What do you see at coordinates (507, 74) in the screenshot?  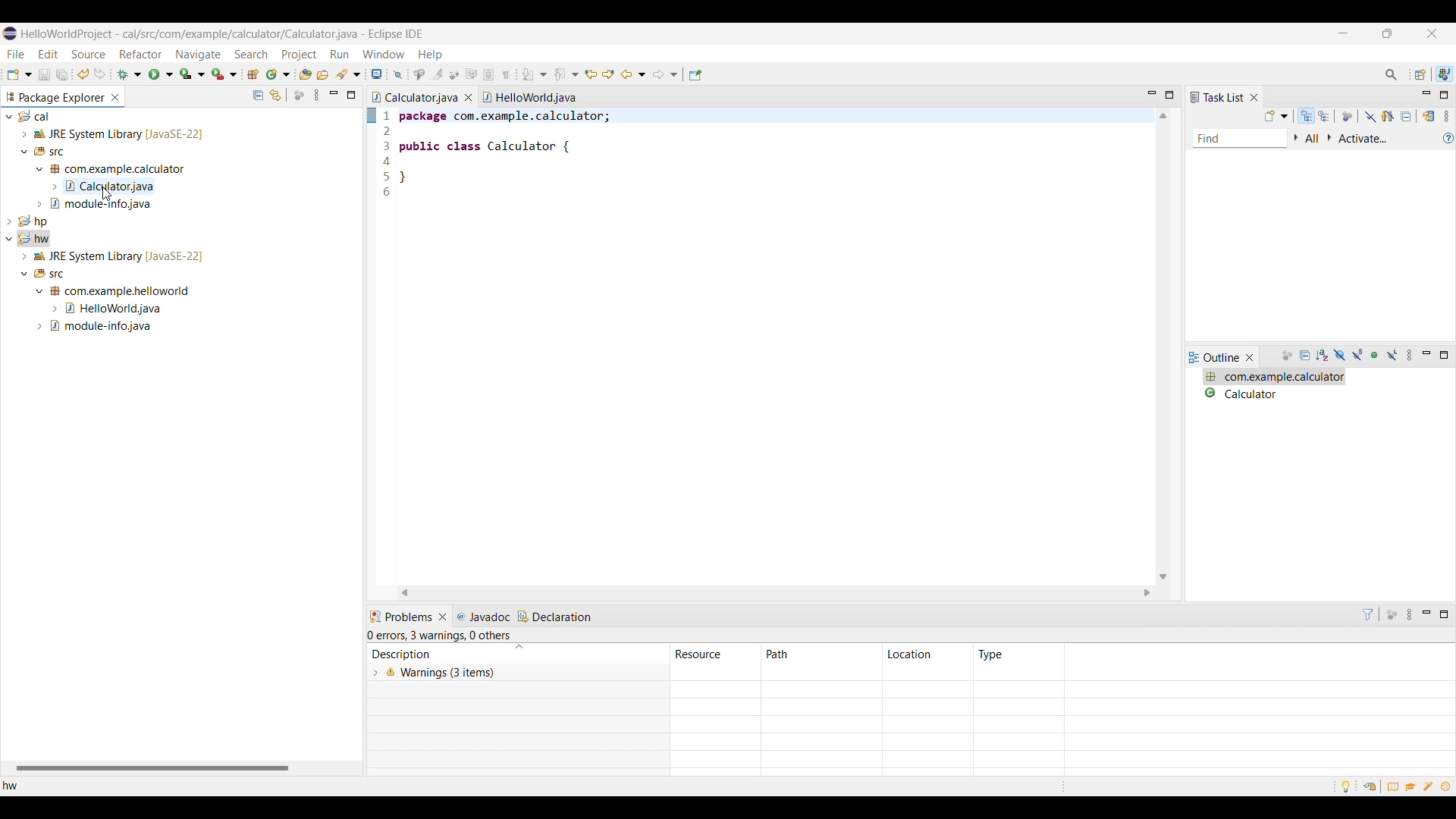 I see `Show whitespace characters` at bounding box center [507, 74].